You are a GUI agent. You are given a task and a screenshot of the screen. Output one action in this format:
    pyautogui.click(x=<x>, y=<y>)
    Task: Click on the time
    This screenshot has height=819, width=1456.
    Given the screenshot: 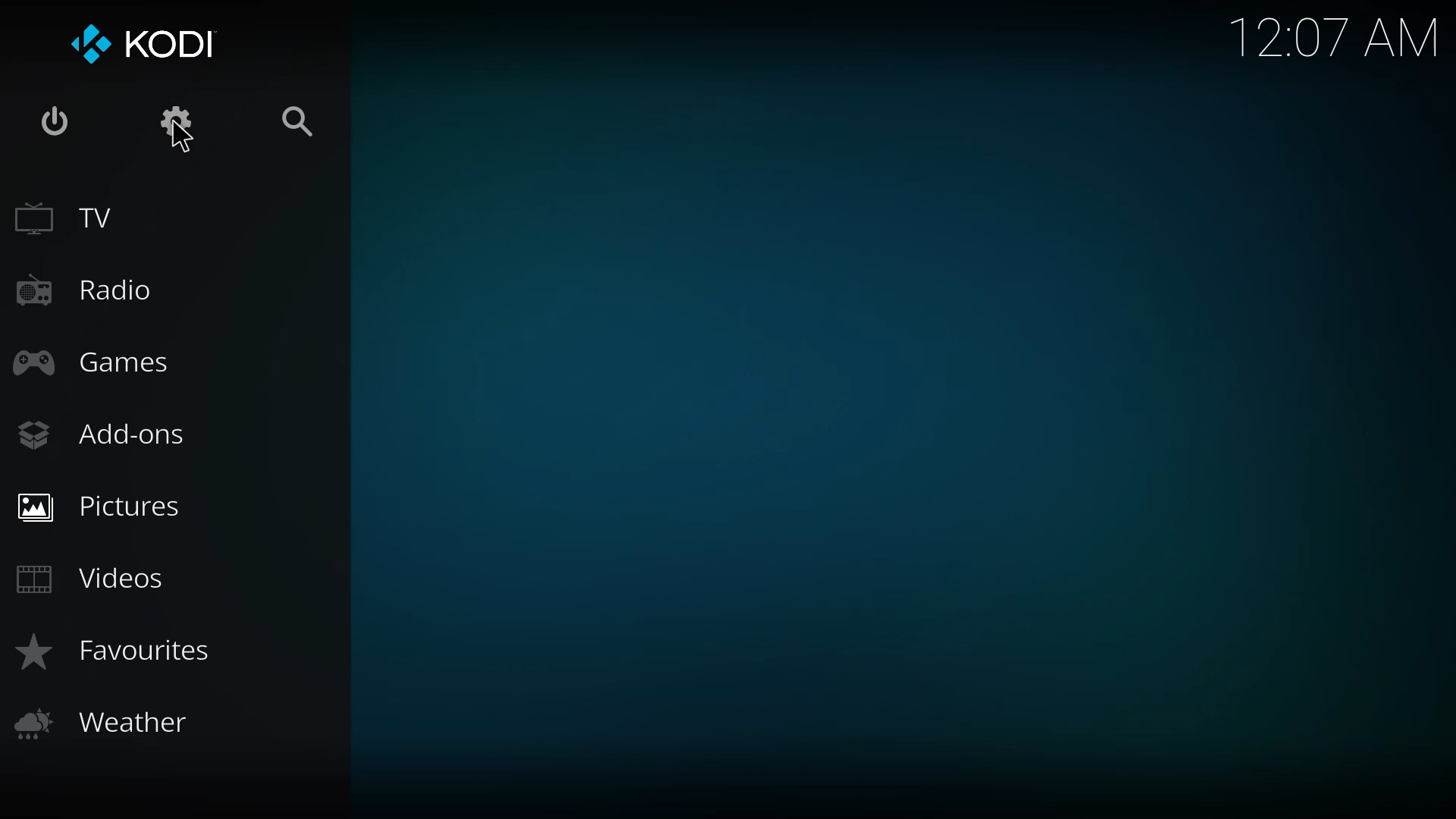 What is the action you would take?
    pyautogui.click(x=1334, y=36)
    